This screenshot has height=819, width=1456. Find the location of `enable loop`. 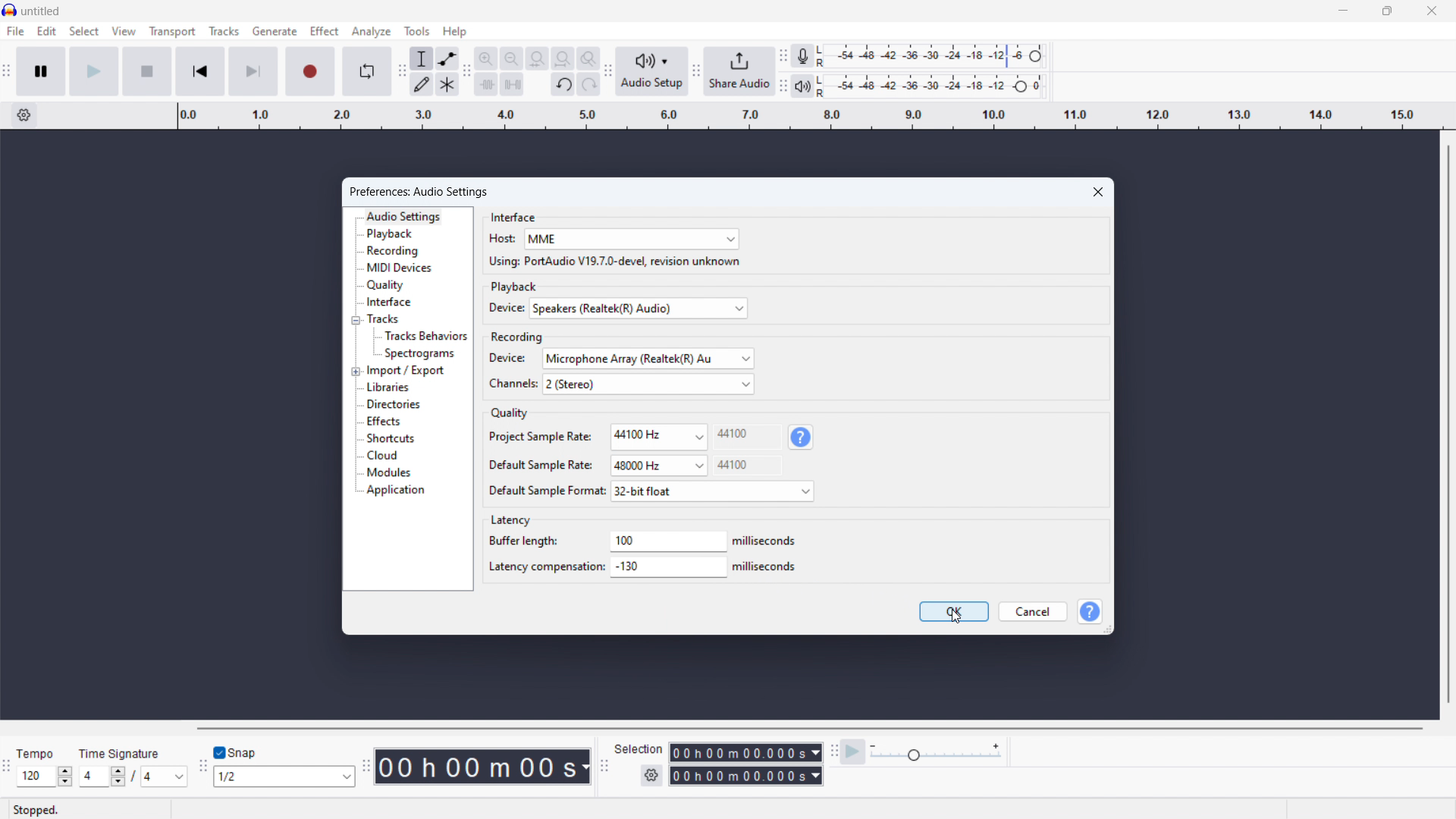

enable loop is located at coordinates (368, 71).